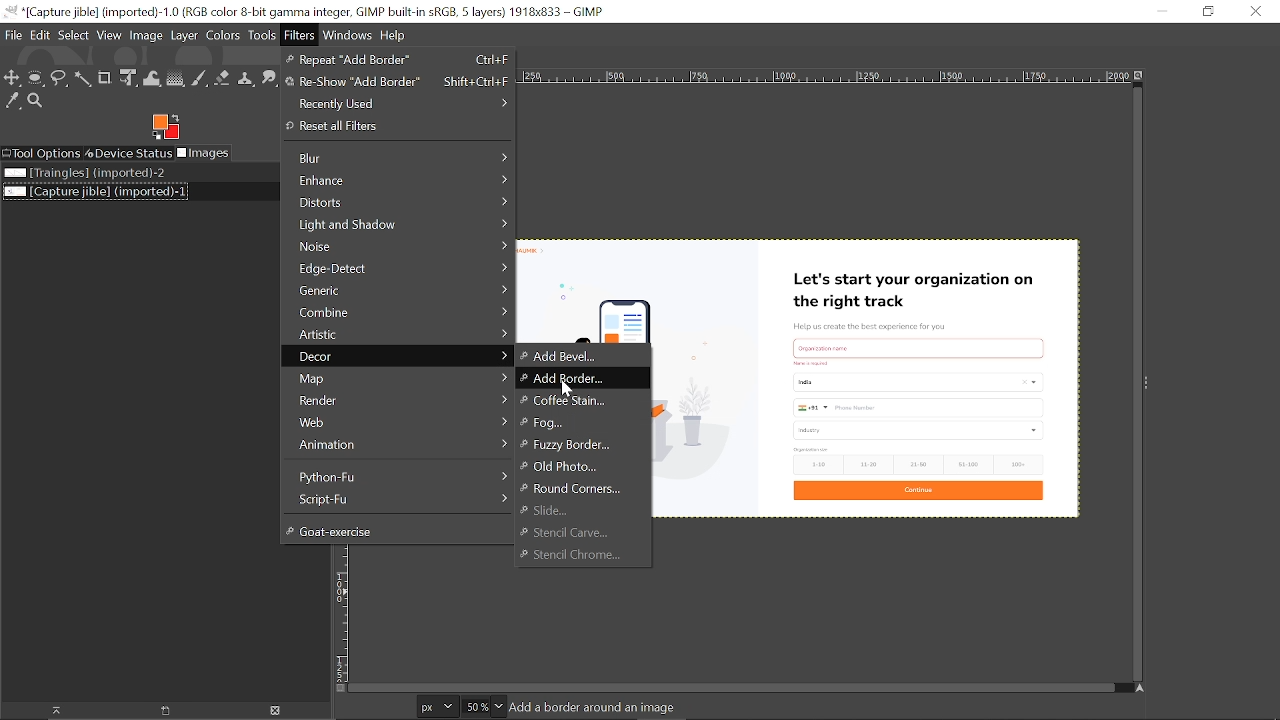 This screenshot has width=1280, height=720. I want to click on Vertical label, so click(344, 620).